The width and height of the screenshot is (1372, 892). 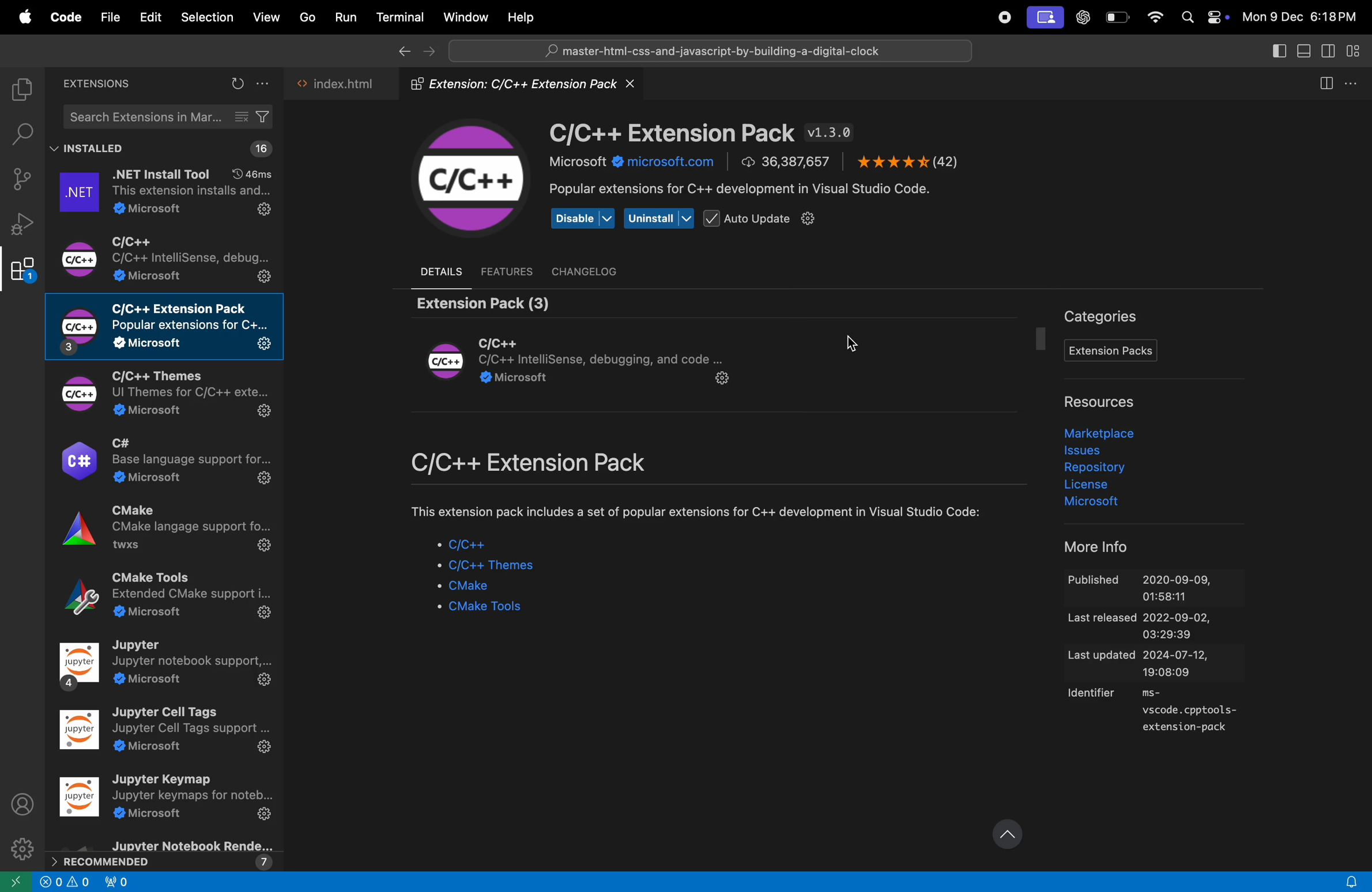 What do you see at coordinates (497, 567) in the screenshot?
I see `c/C++ themes` at bounding box center [497, 567].